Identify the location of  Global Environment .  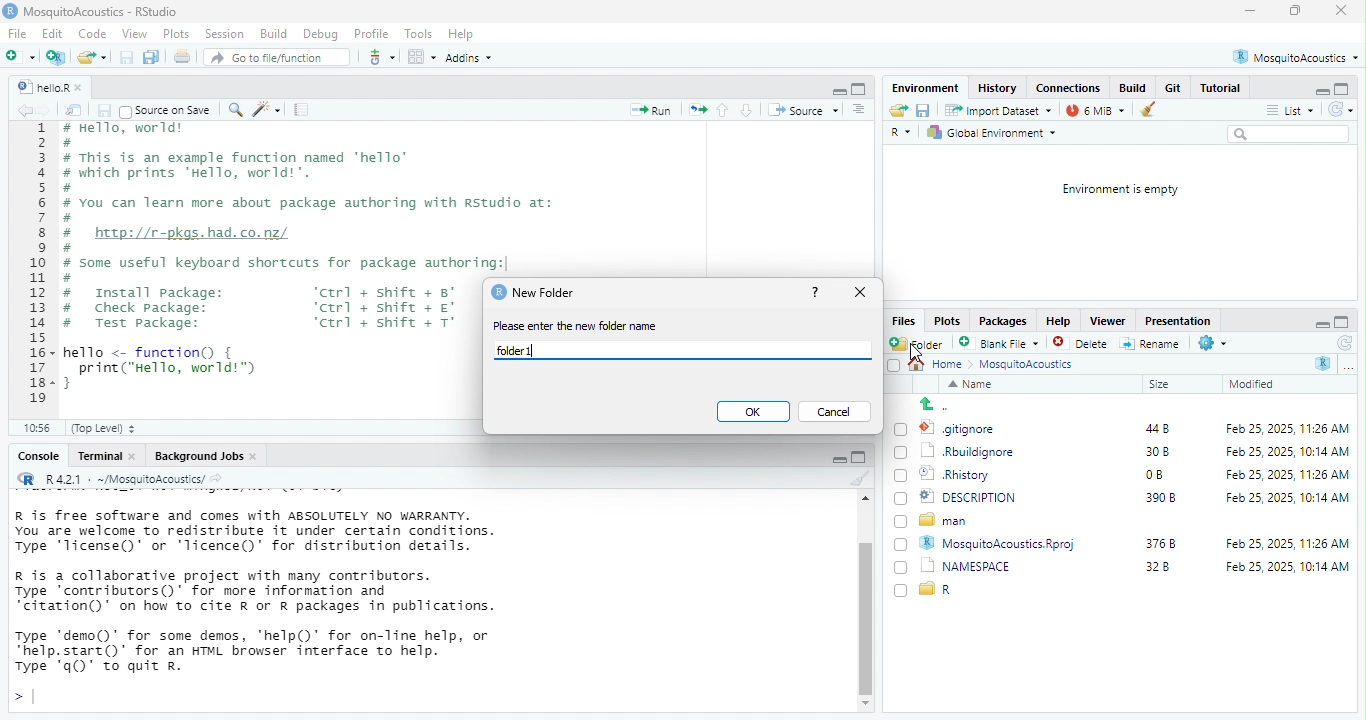
(996, 134).